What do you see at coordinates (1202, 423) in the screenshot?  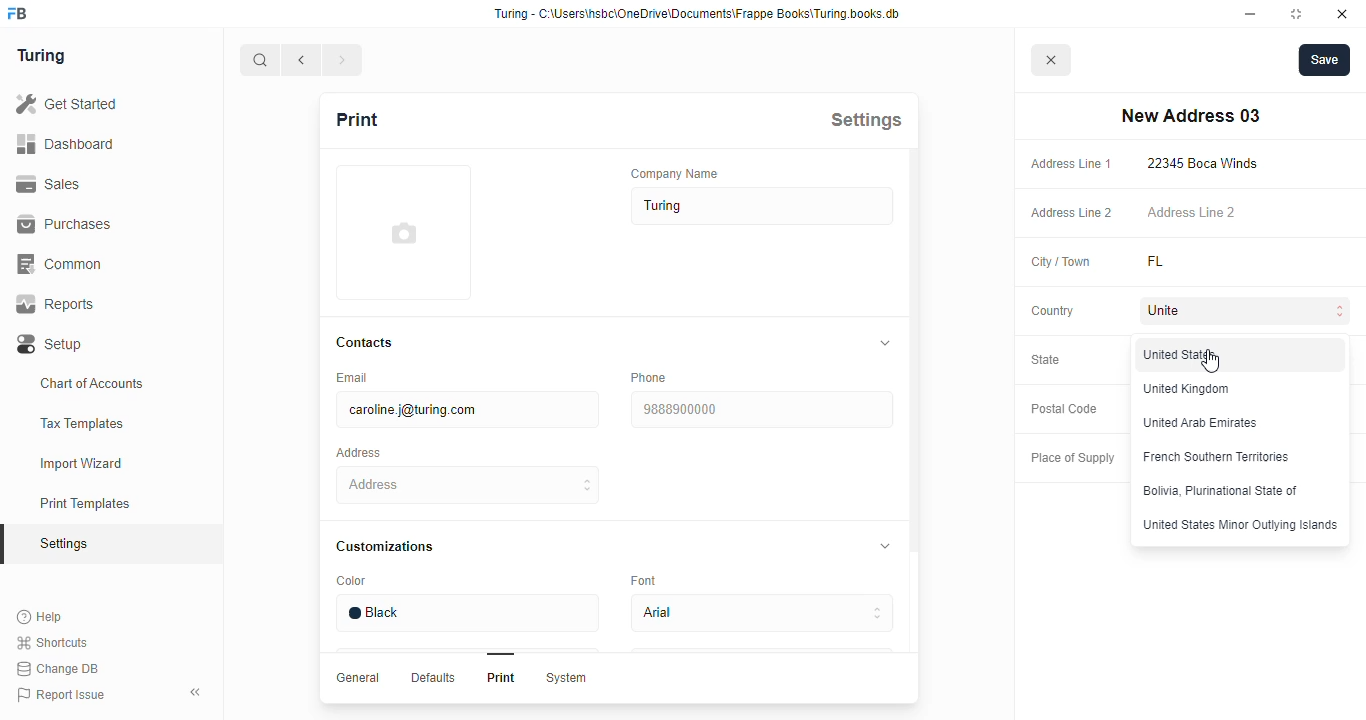 I see `united arab emirates` at bounding box center [1202, 423].